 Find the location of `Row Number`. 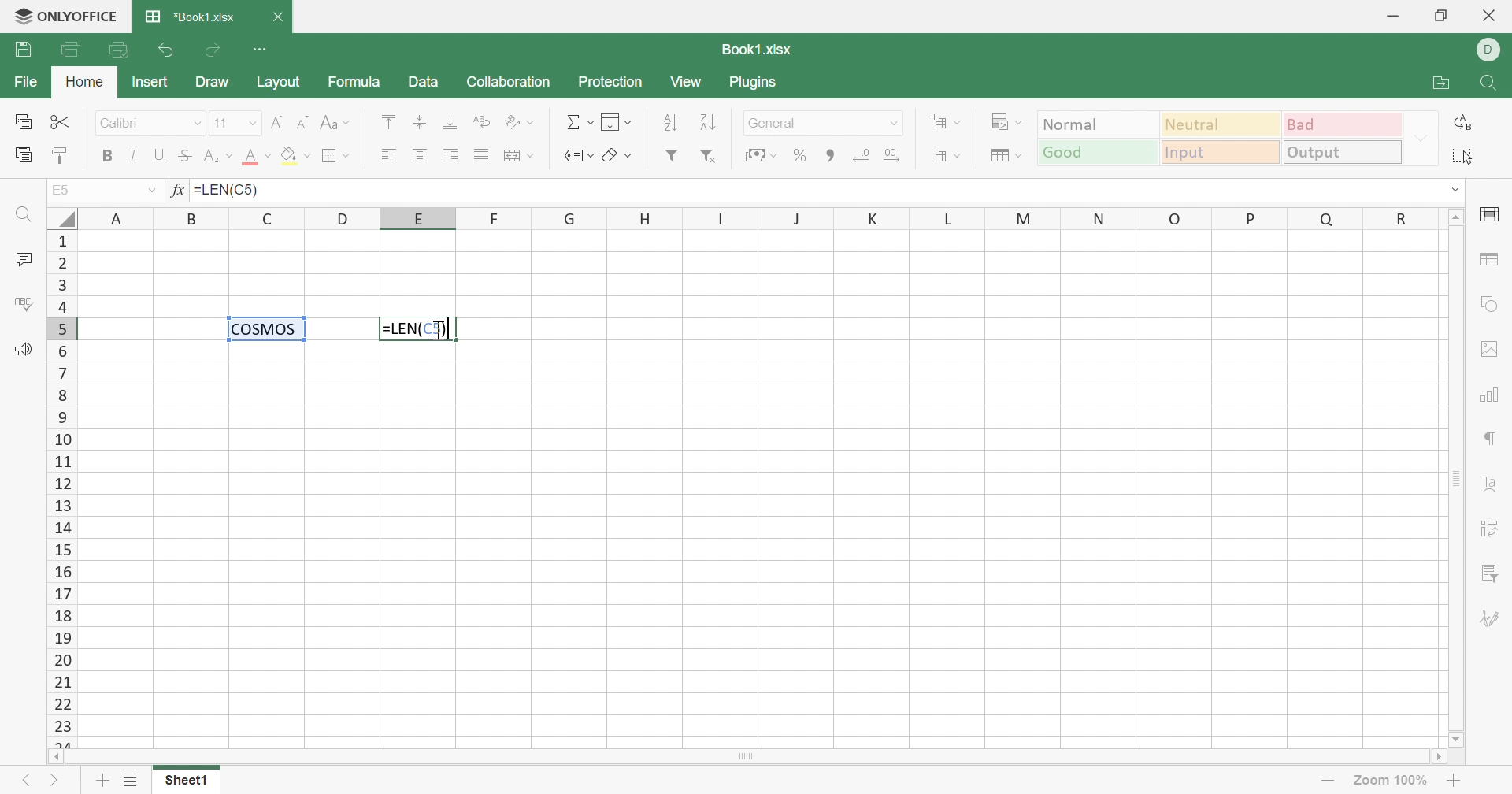

Row Number is located at coordinates (61, 489).